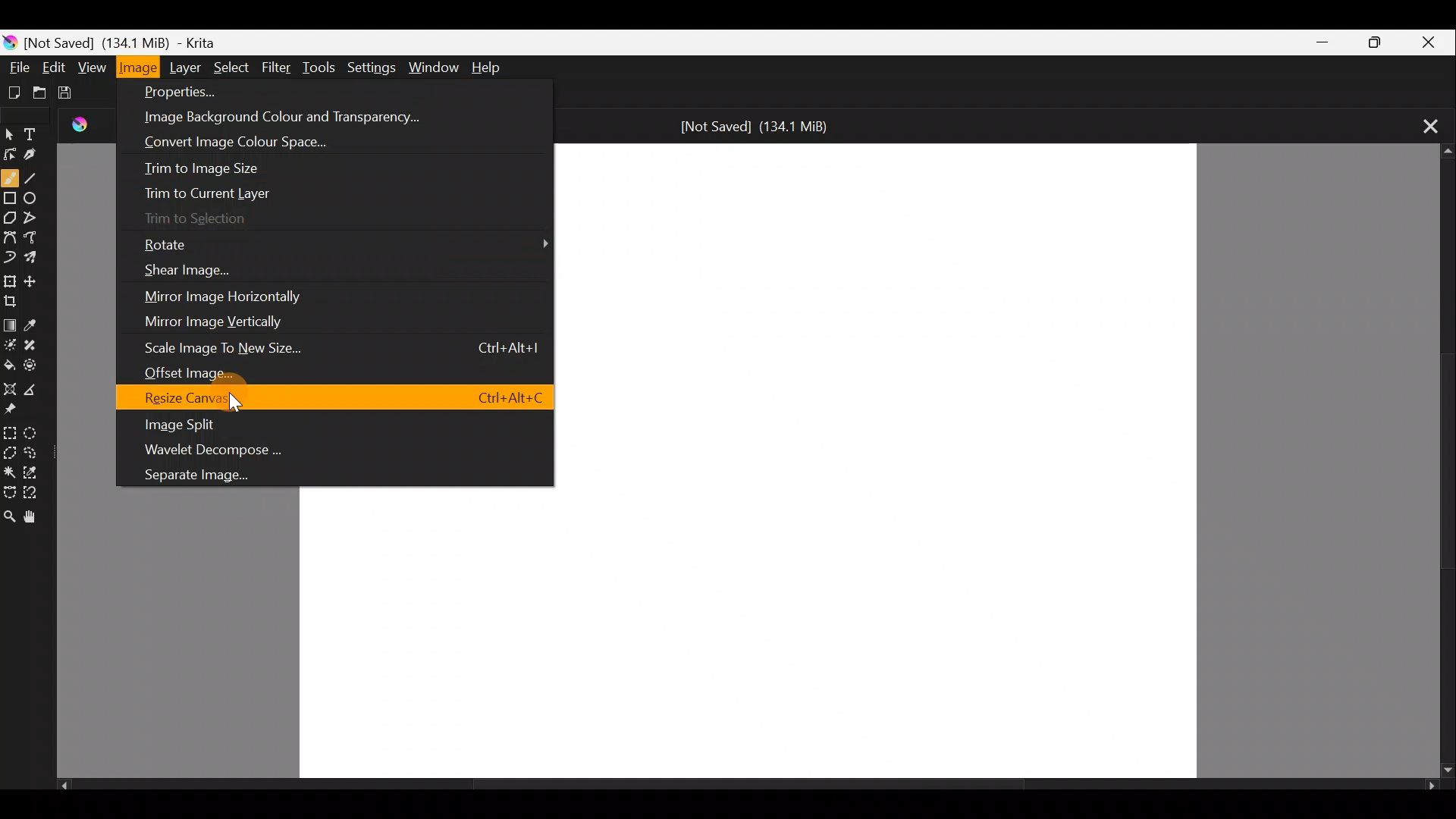  Describe the element at coordinates (93, 67) in the screenshot. I see `View` at that location.